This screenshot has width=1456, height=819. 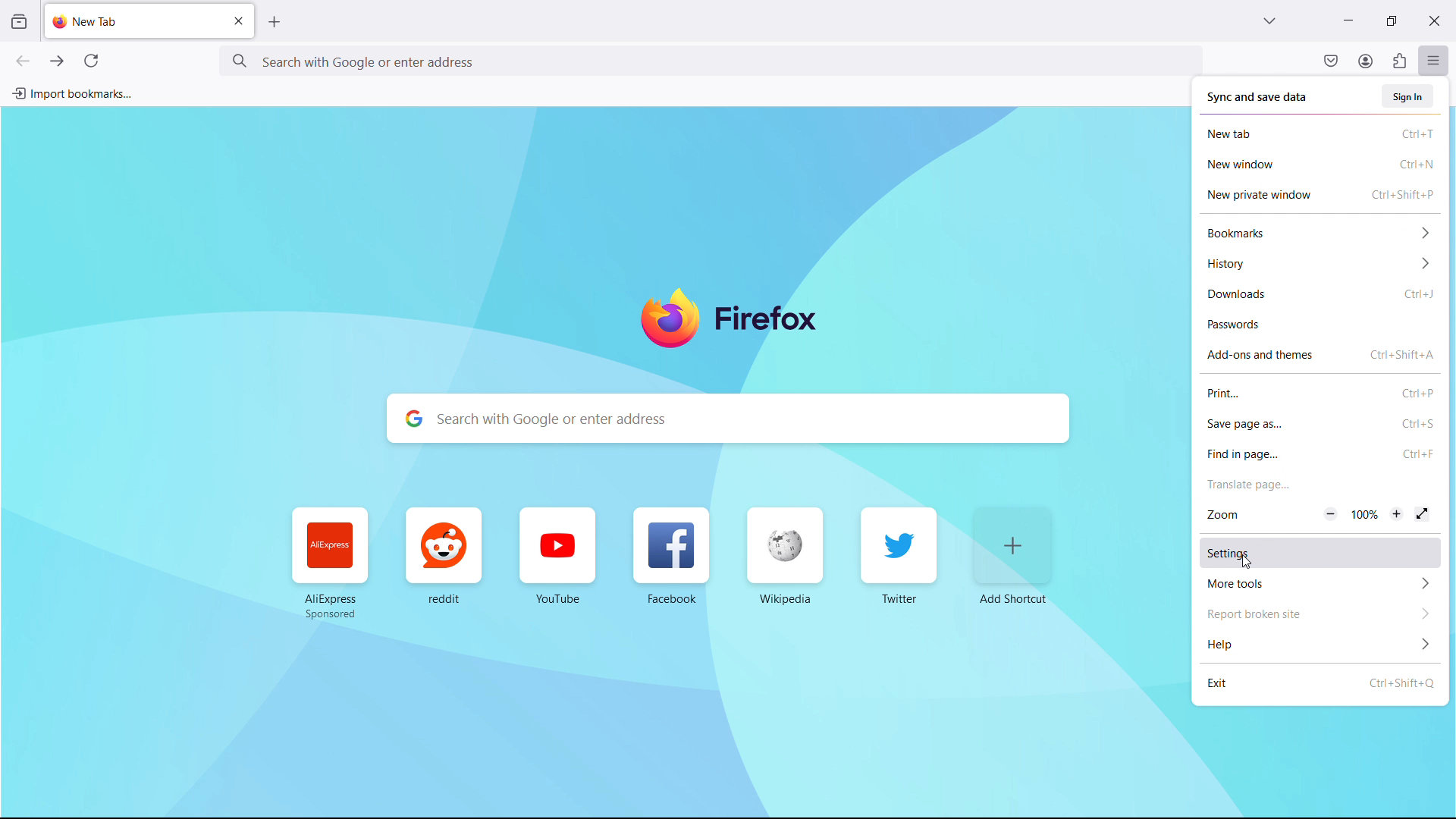 What do you see at coordinates (1013, 556) in the screenshot?
I see `add shortcut` at bounding box center [1013, 556].